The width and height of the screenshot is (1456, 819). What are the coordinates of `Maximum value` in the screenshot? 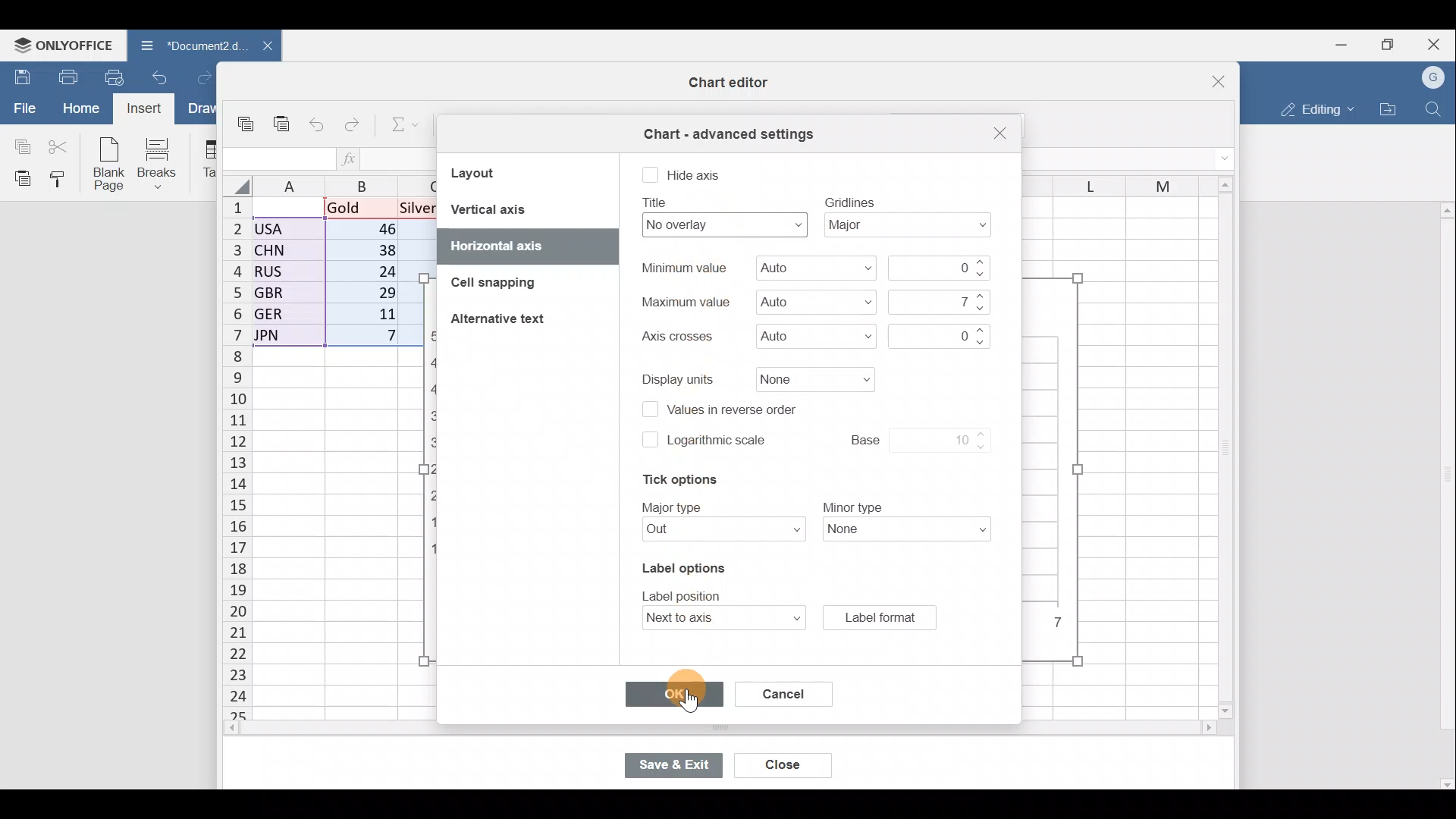 It's located at (814, 301).